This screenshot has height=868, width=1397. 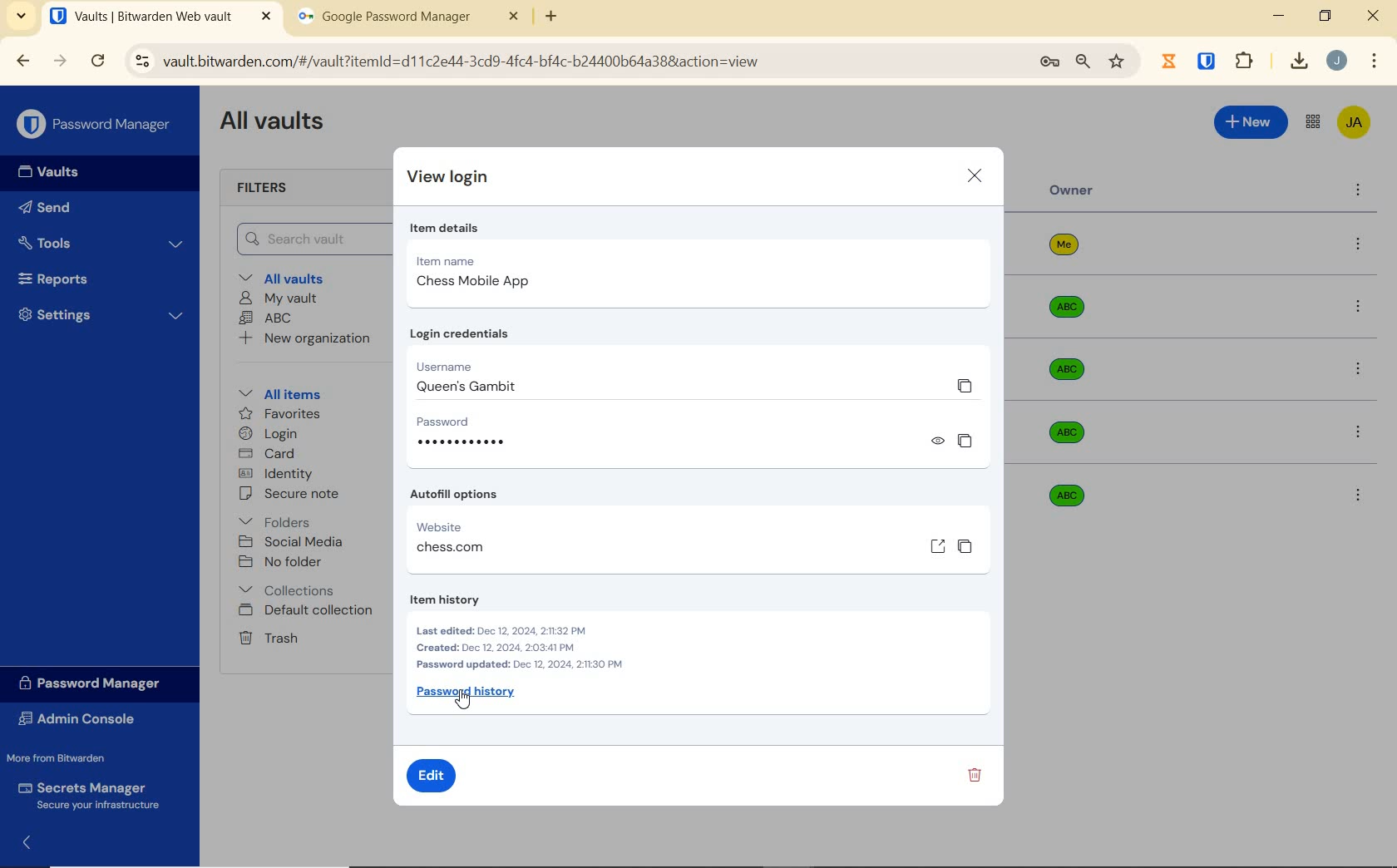 I want to click on edit, so click(x=433, y=775).